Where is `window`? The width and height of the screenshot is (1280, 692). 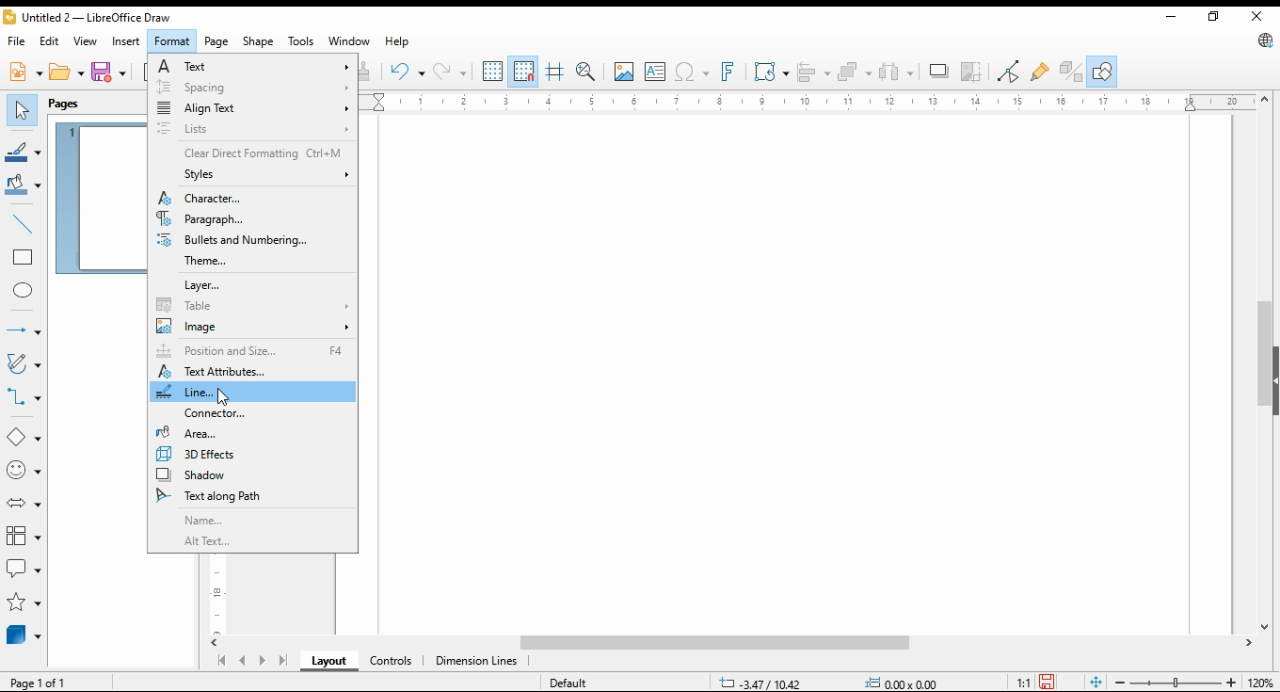
window is located at coordinates (348, 41).